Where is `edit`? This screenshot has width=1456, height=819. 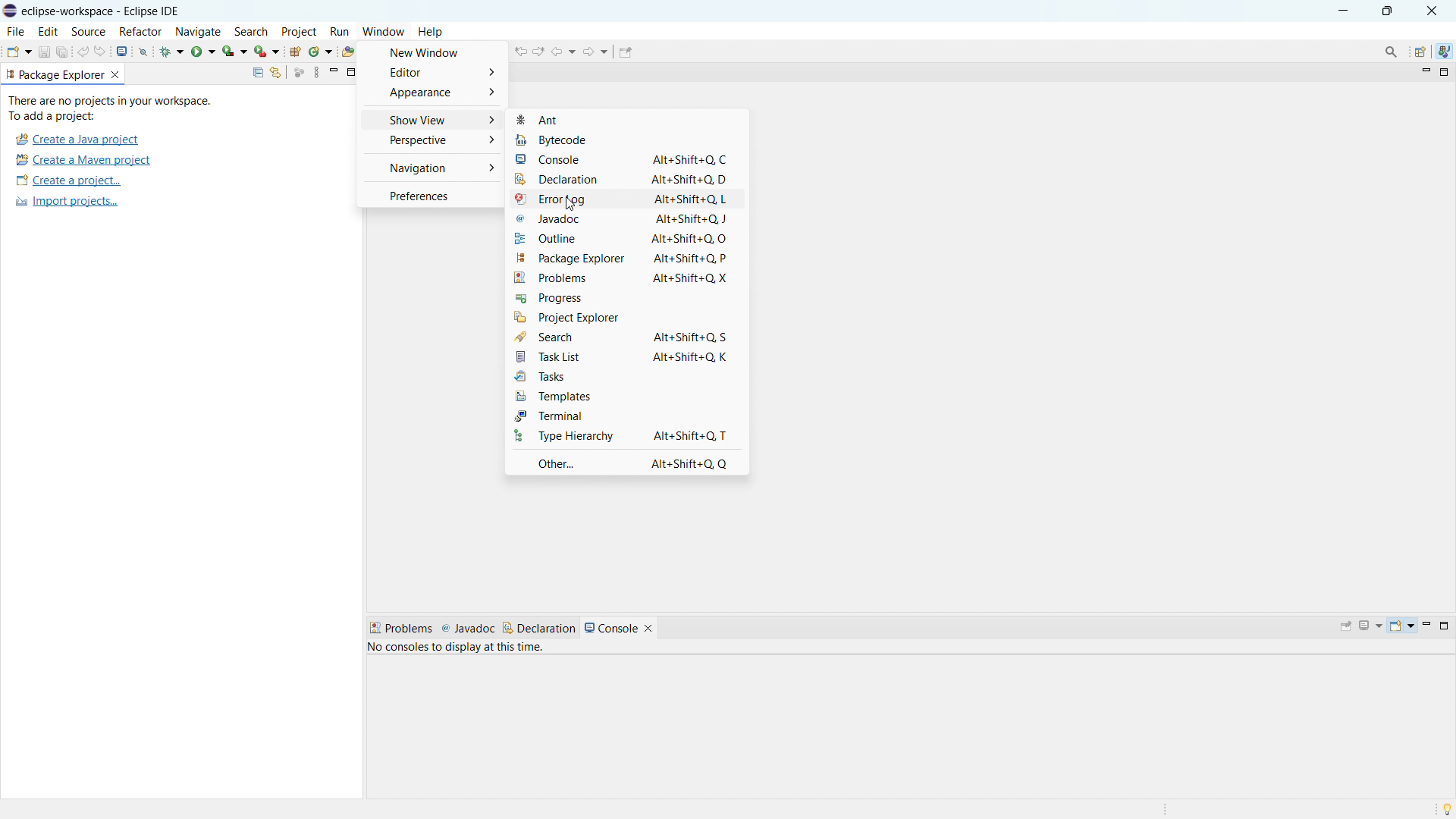 edit is located at coordinates (49, 31).